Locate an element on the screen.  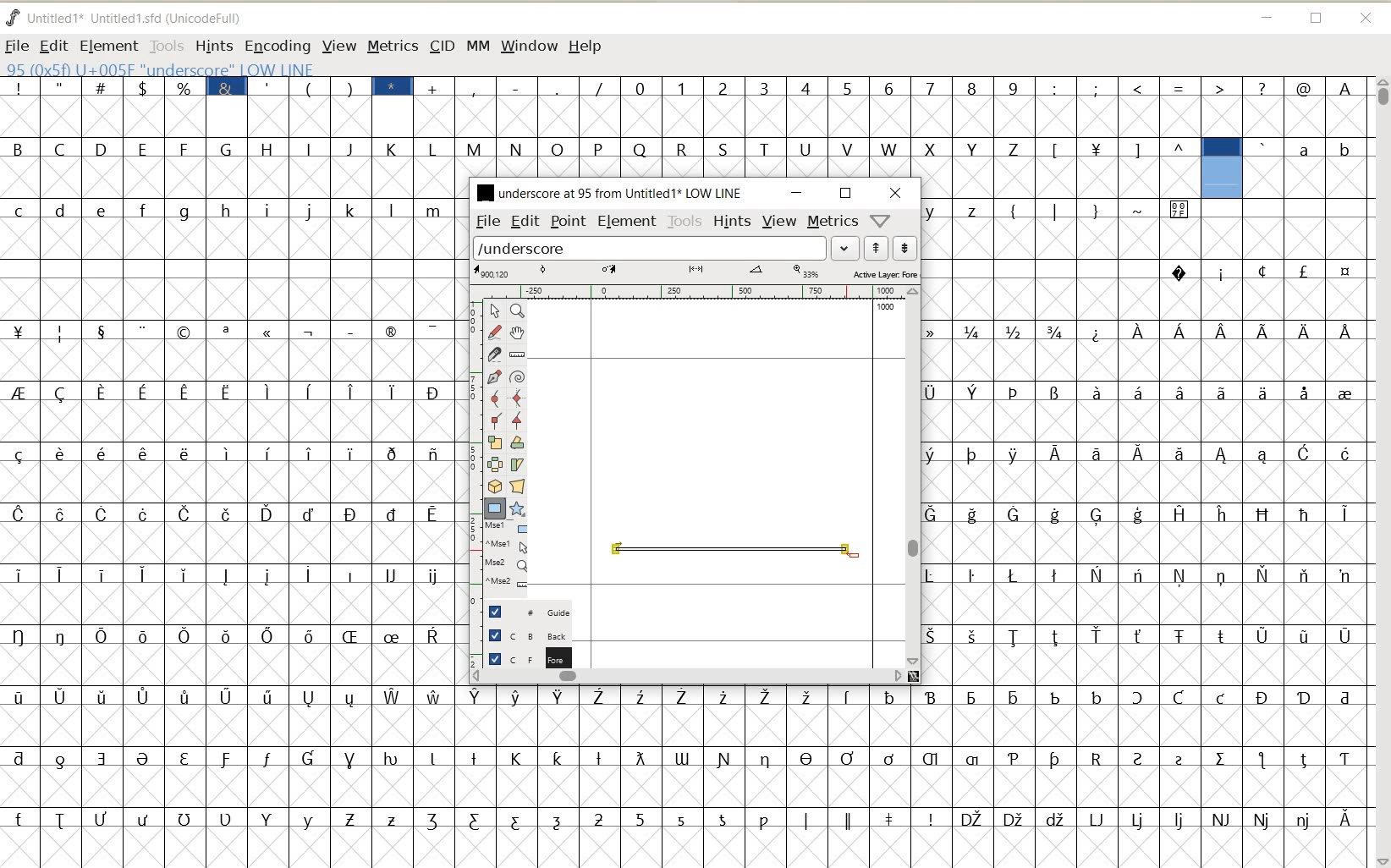
show previous word list is located at coordinates (877, 248).